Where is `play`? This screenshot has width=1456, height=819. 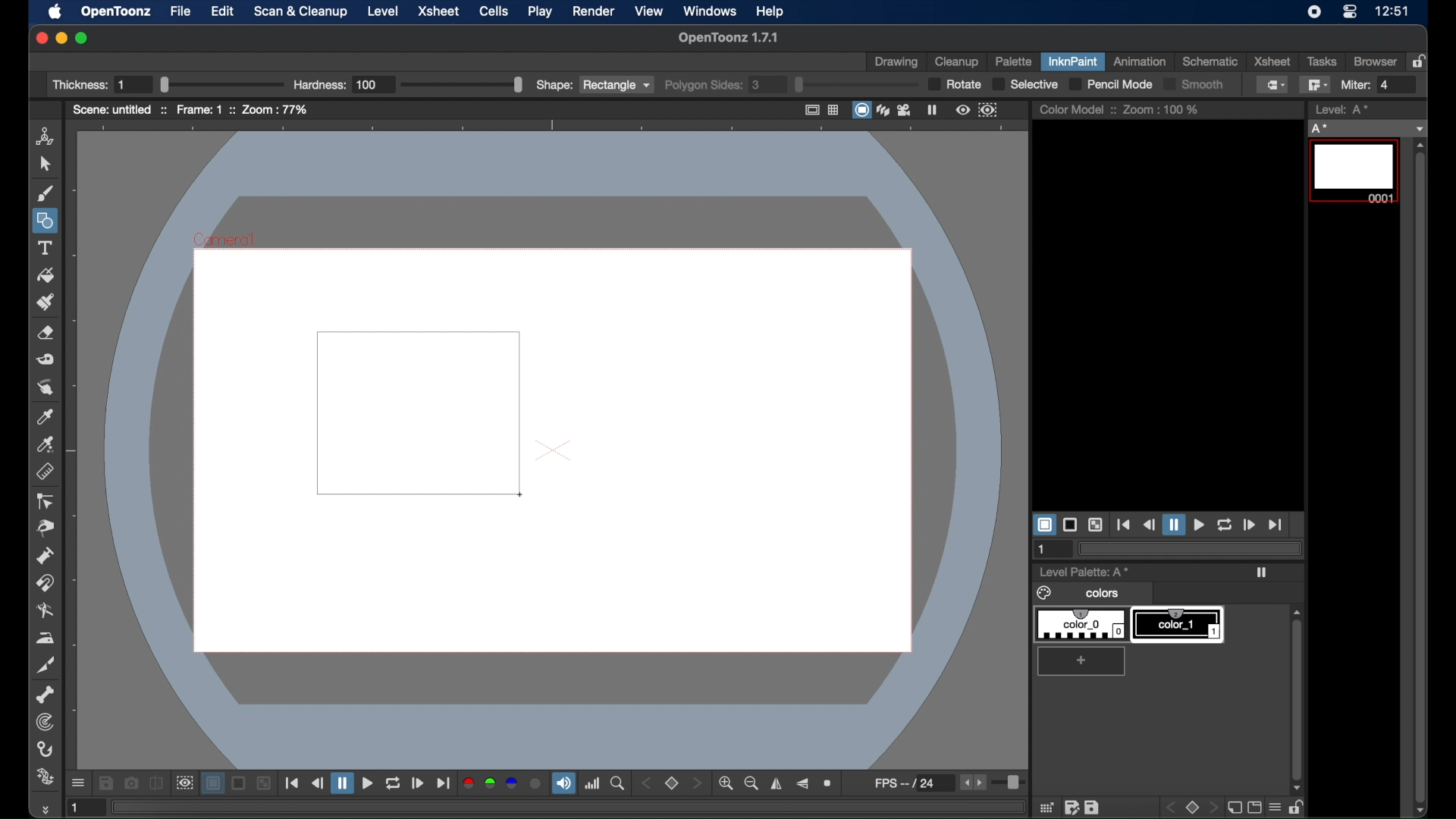
play is located at coordinates (1198, 526).